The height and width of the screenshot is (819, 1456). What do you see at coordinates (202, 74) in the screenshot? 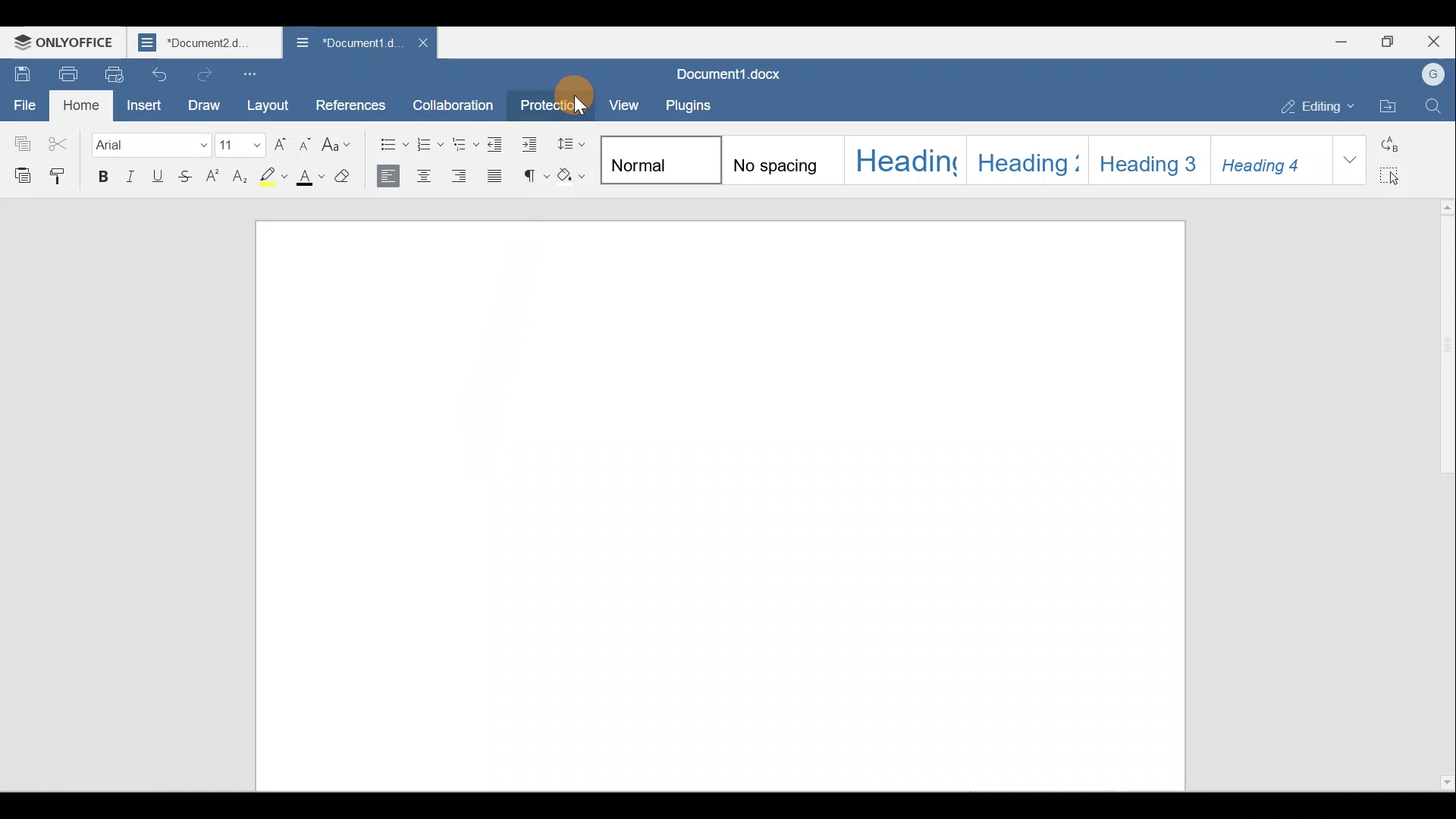
I see `Redo` at bounding box center [202, 74].